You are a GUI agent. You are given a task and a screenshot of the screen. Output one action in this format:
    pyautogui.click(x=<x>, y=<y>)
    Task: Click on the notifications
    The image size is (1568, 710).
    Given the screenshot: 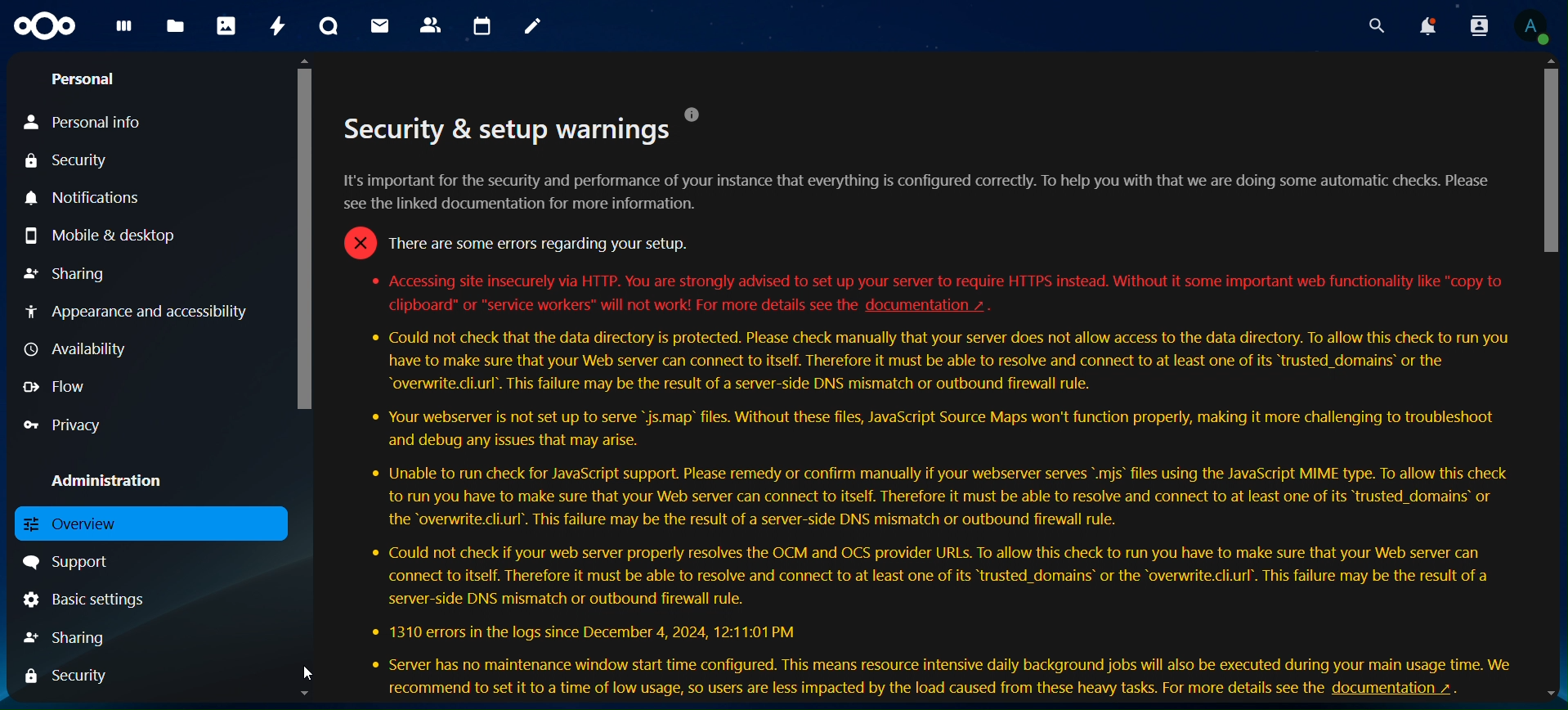 What is the action you would take?
    pyautogui.click(x=85, y=197)
    